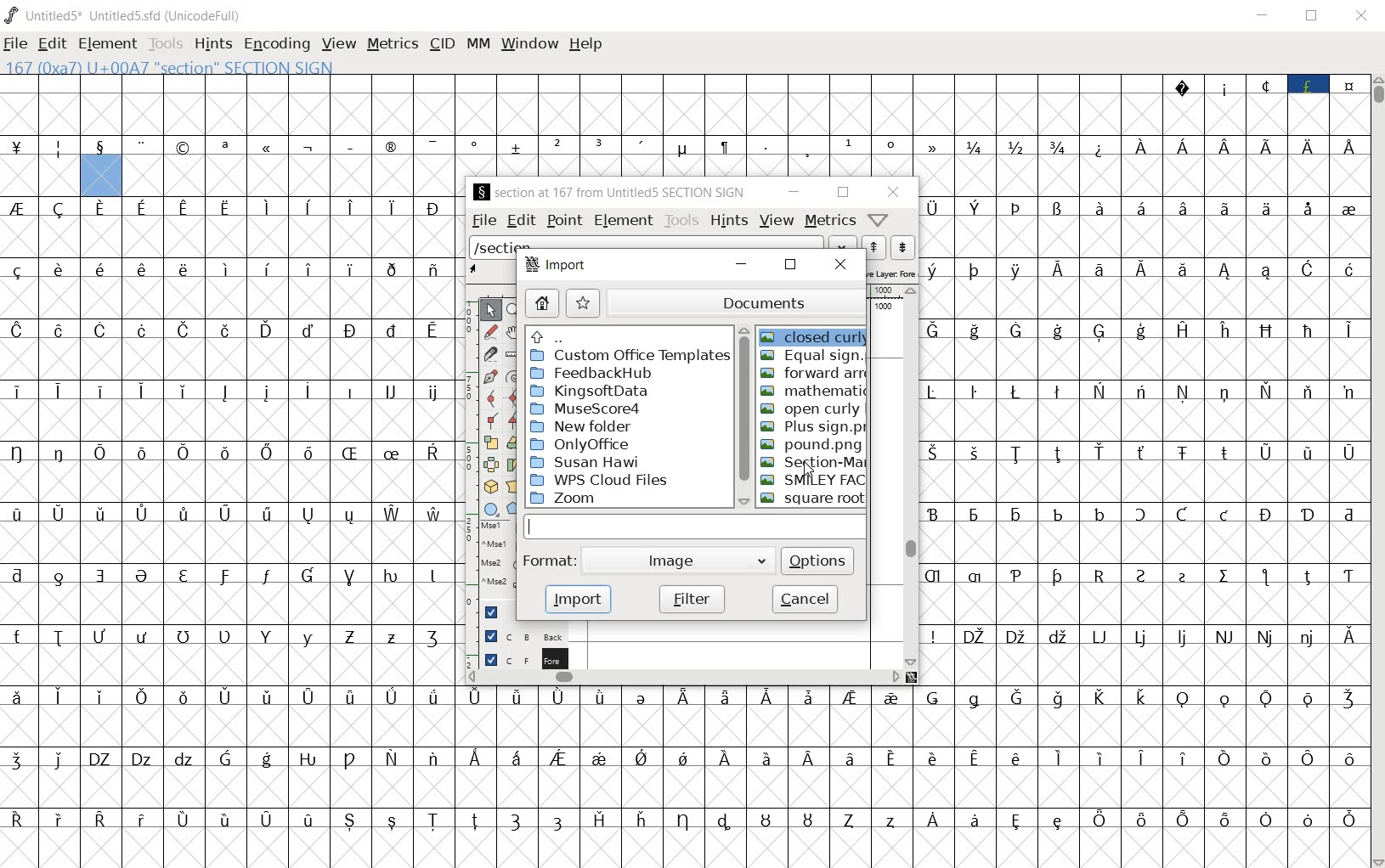 This screenshot has height=868, width=1385. Describe the element at coordinates (739, 265) in the screenshot. I see `minimize` at that location.